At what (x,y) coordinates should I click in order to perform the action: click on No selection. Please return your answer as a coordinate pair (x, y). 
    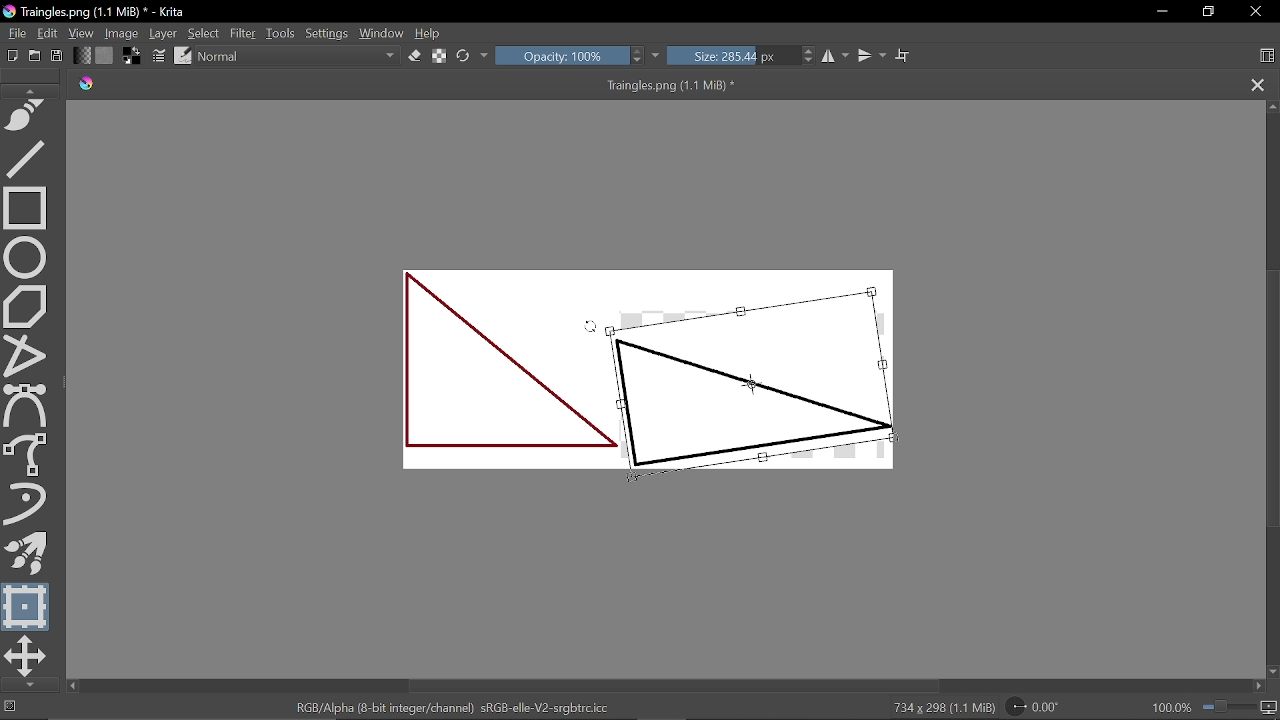
    Looking at the image, I should click on (8, 707).